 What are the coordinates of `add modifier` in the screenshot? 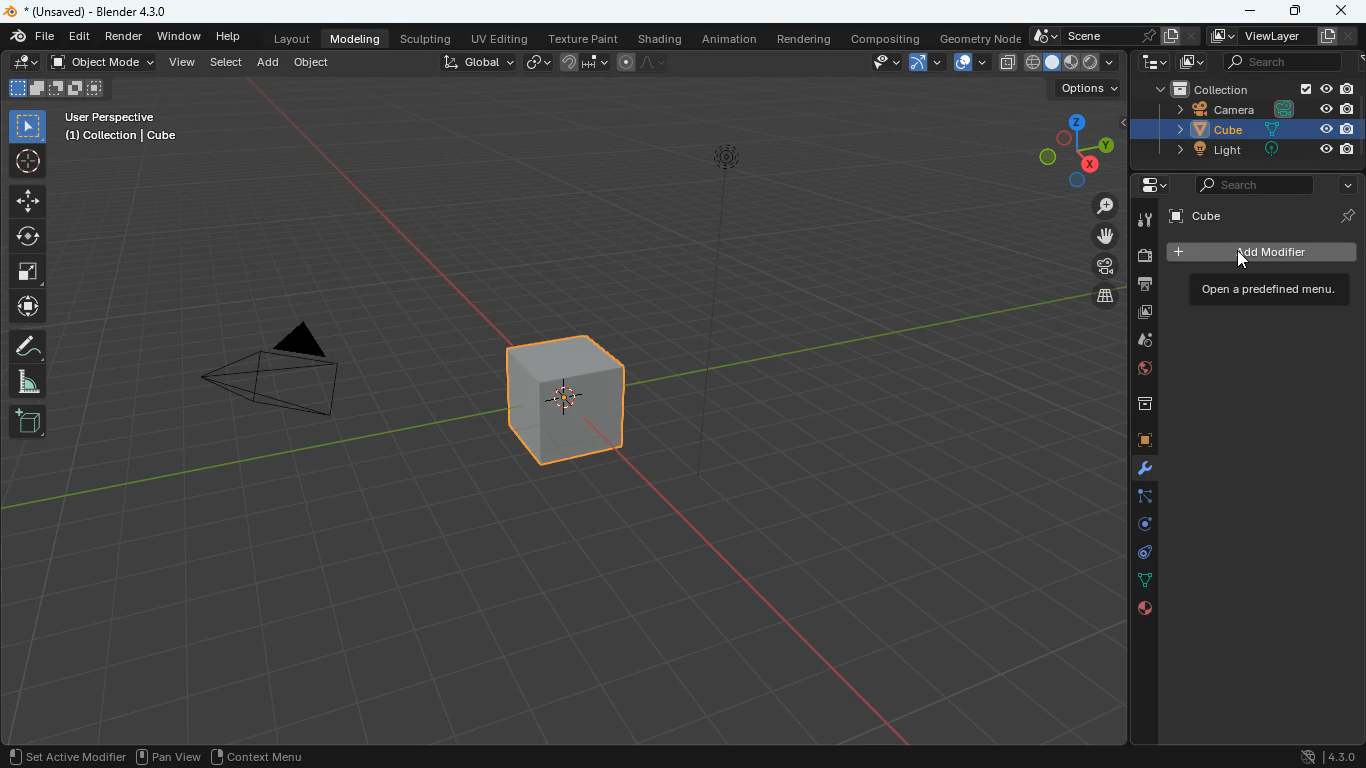 It's located at (1261, 254).